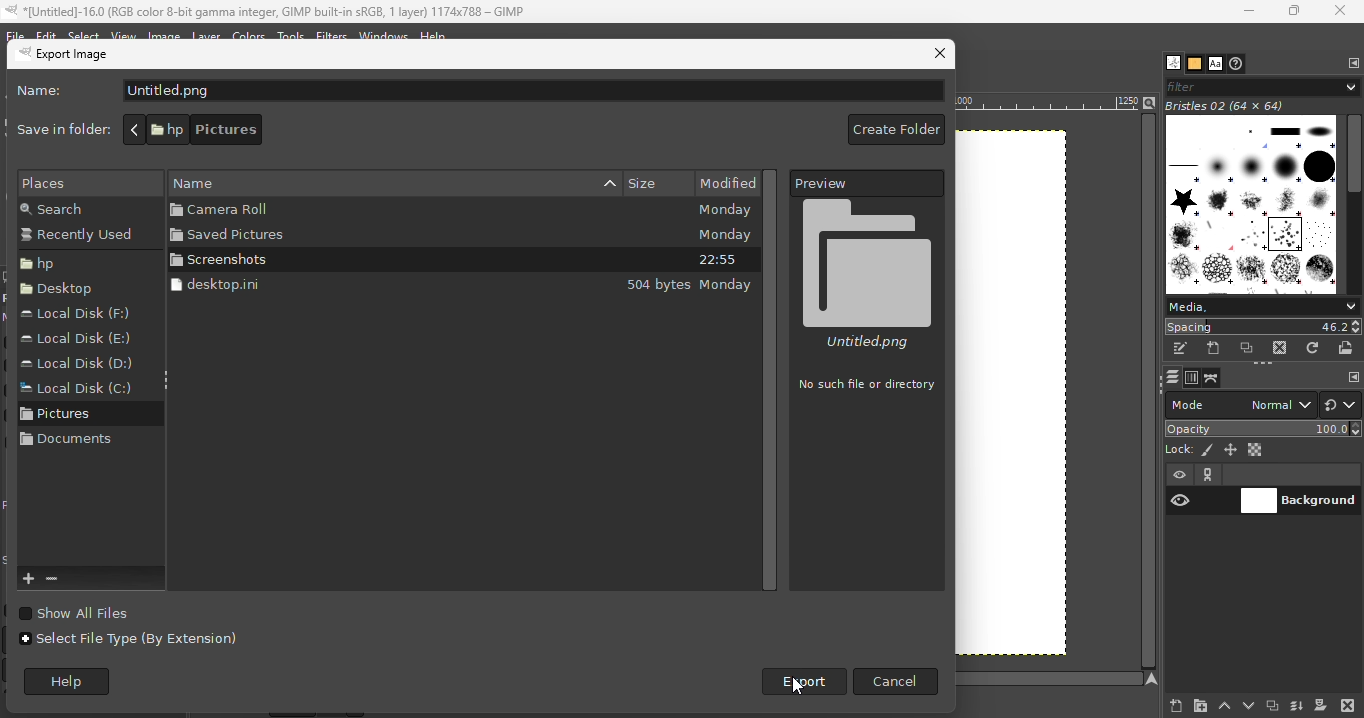 The image size is (1364, 718). I want to click on Monday, so click(723, 211).